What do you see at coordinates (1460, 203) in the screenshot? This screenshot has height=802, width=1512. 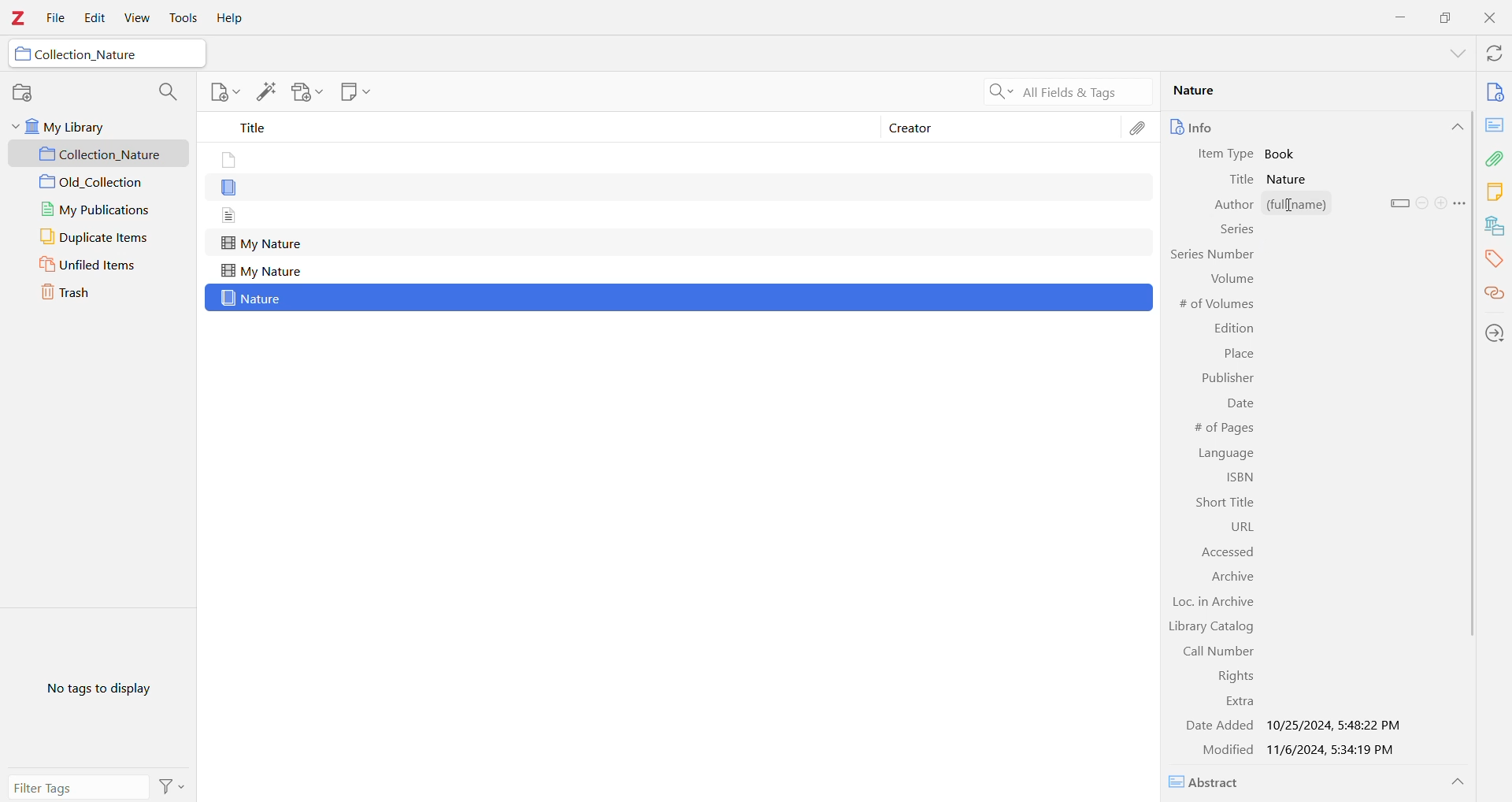 I see `Open context menu` at bounding box center [1460, 203].